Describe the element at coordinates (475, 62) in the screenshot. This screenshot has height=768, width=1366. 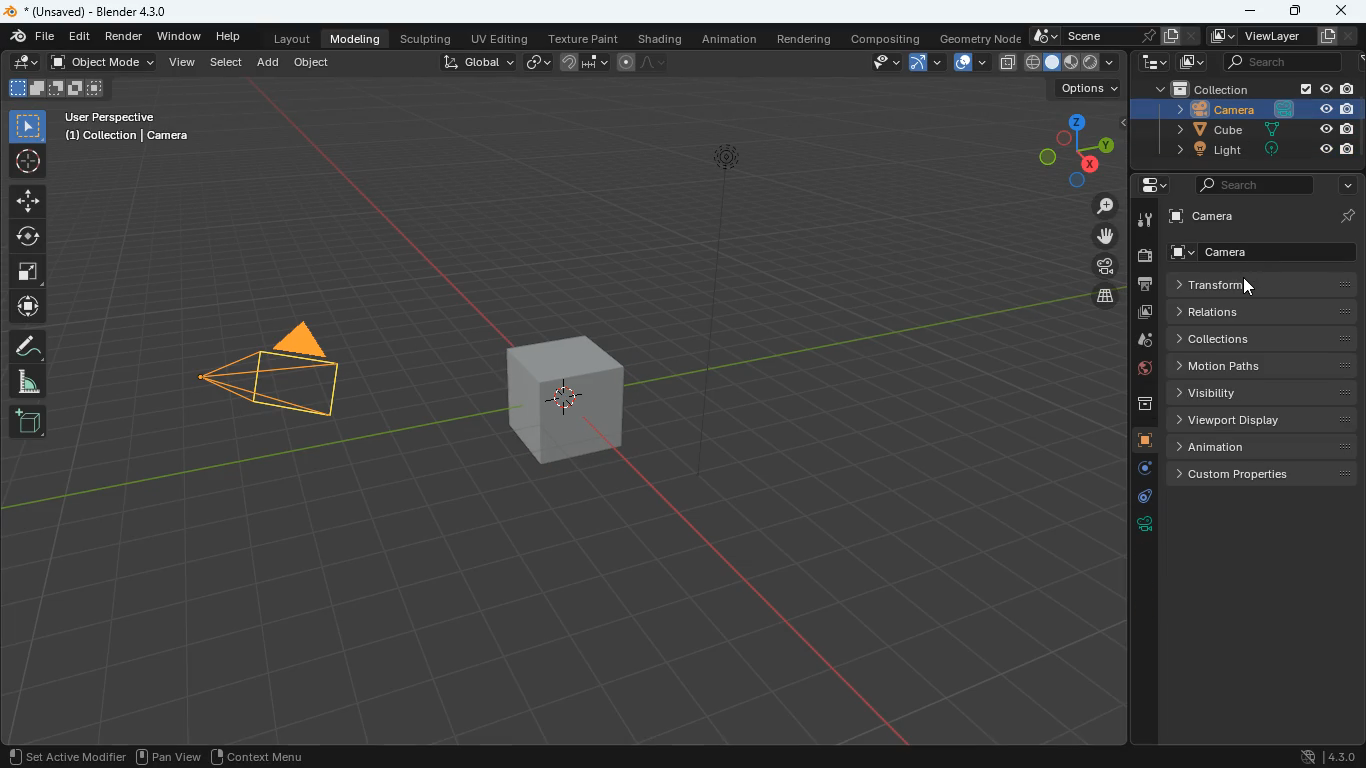
I see `global` at that location.